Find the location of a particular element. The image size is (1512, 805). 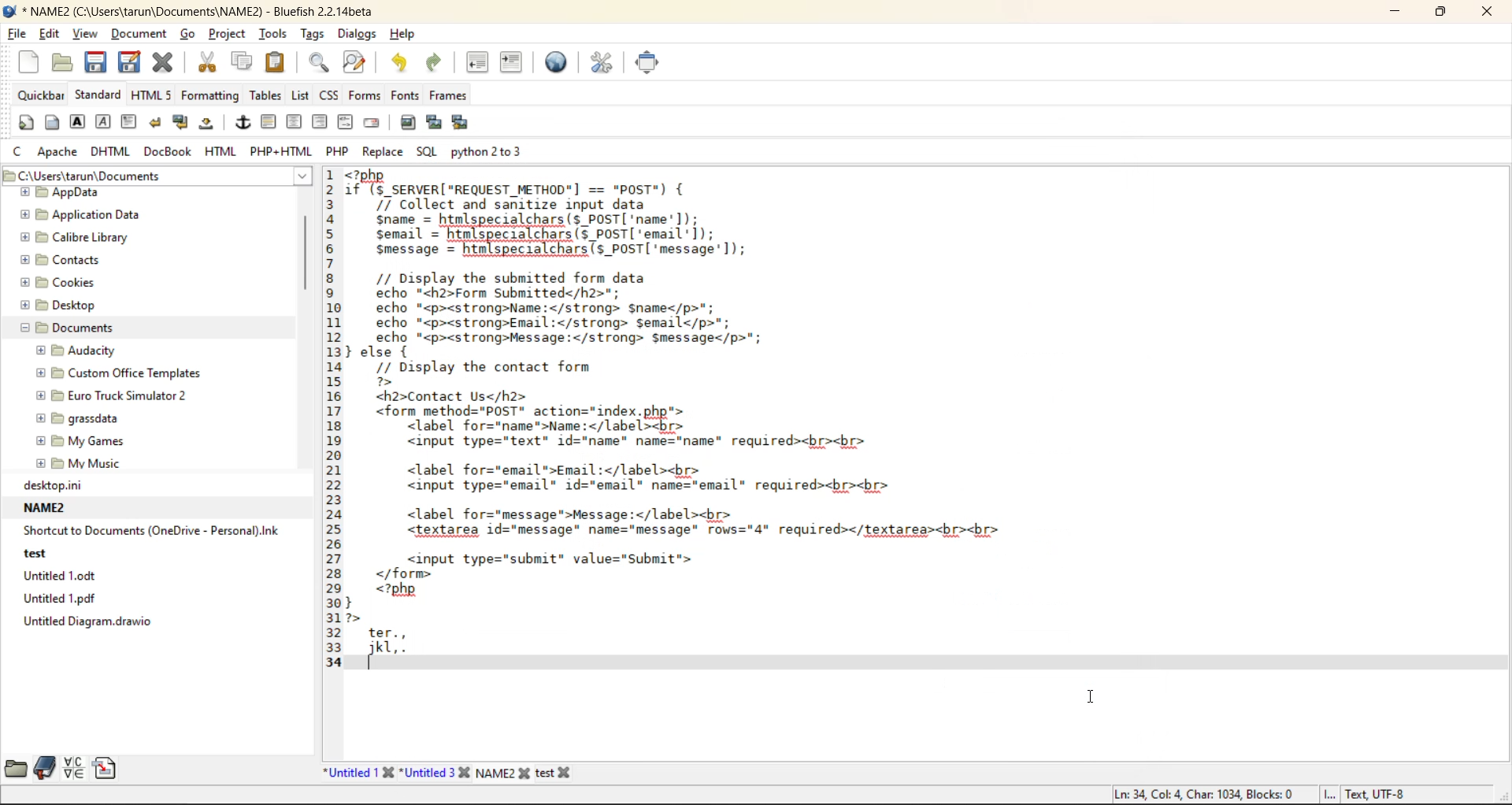

recent files path is located at coordinates (149, 555).